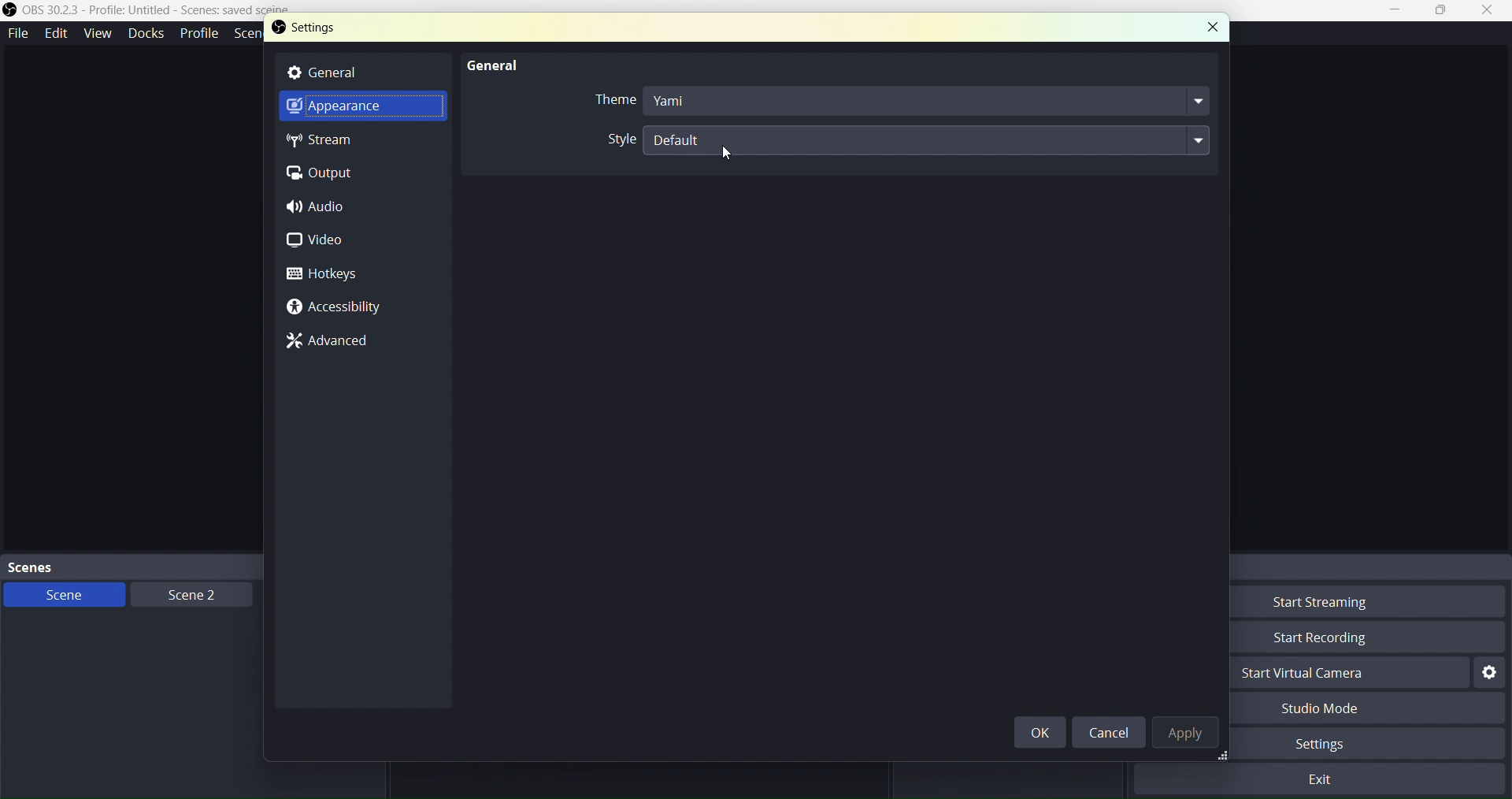 Image resolution: width=1512 pixels, height=799 pixels. What do you see at coordinates (894, 138) in the screenshot?
I see `Open stats dialog on startup` at bounding box center [894, 138].